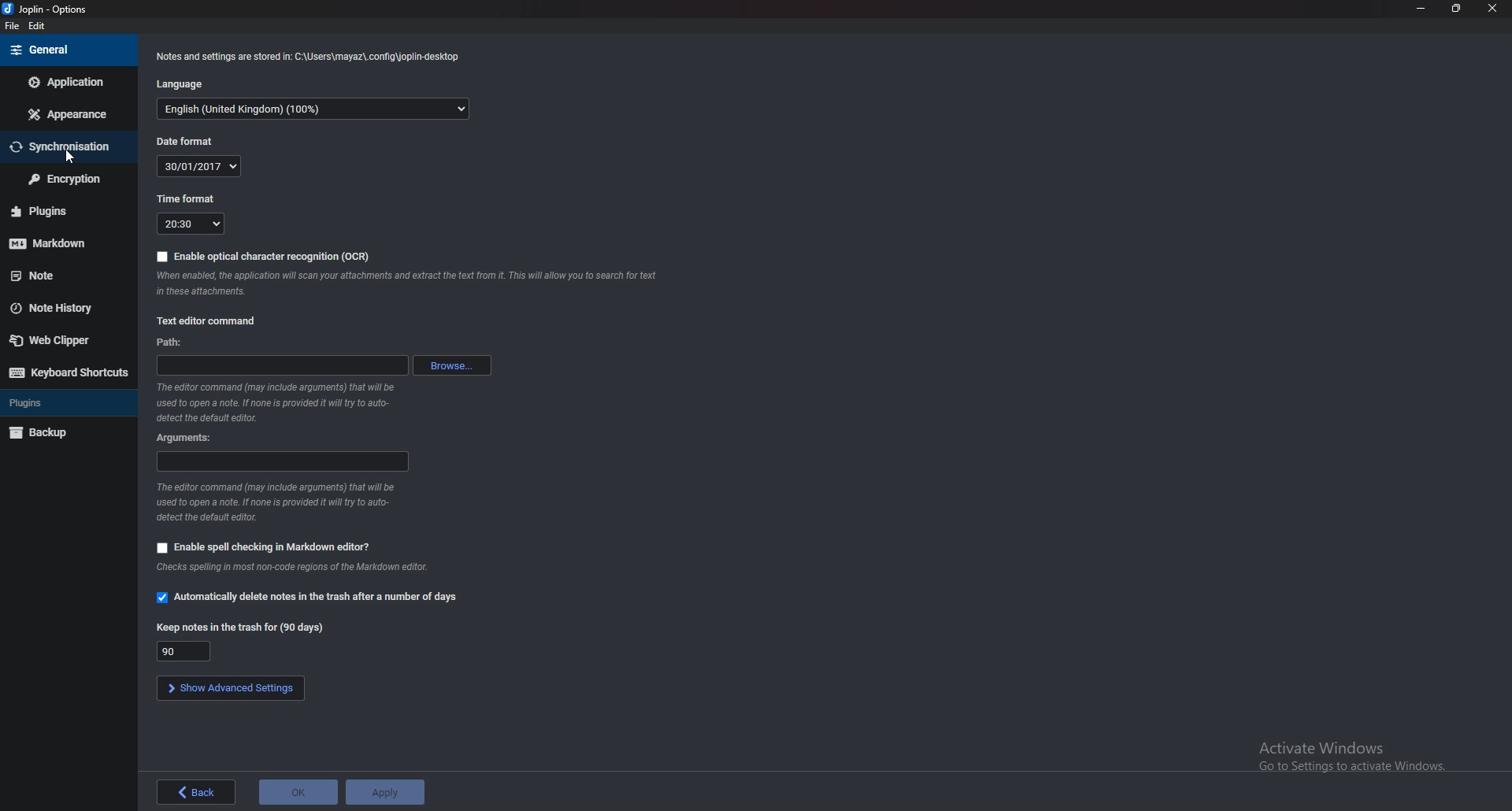 Image resolution: width=1512 pixels, height=811 pixels. I want to click on synchronisation, so click(62, 146).